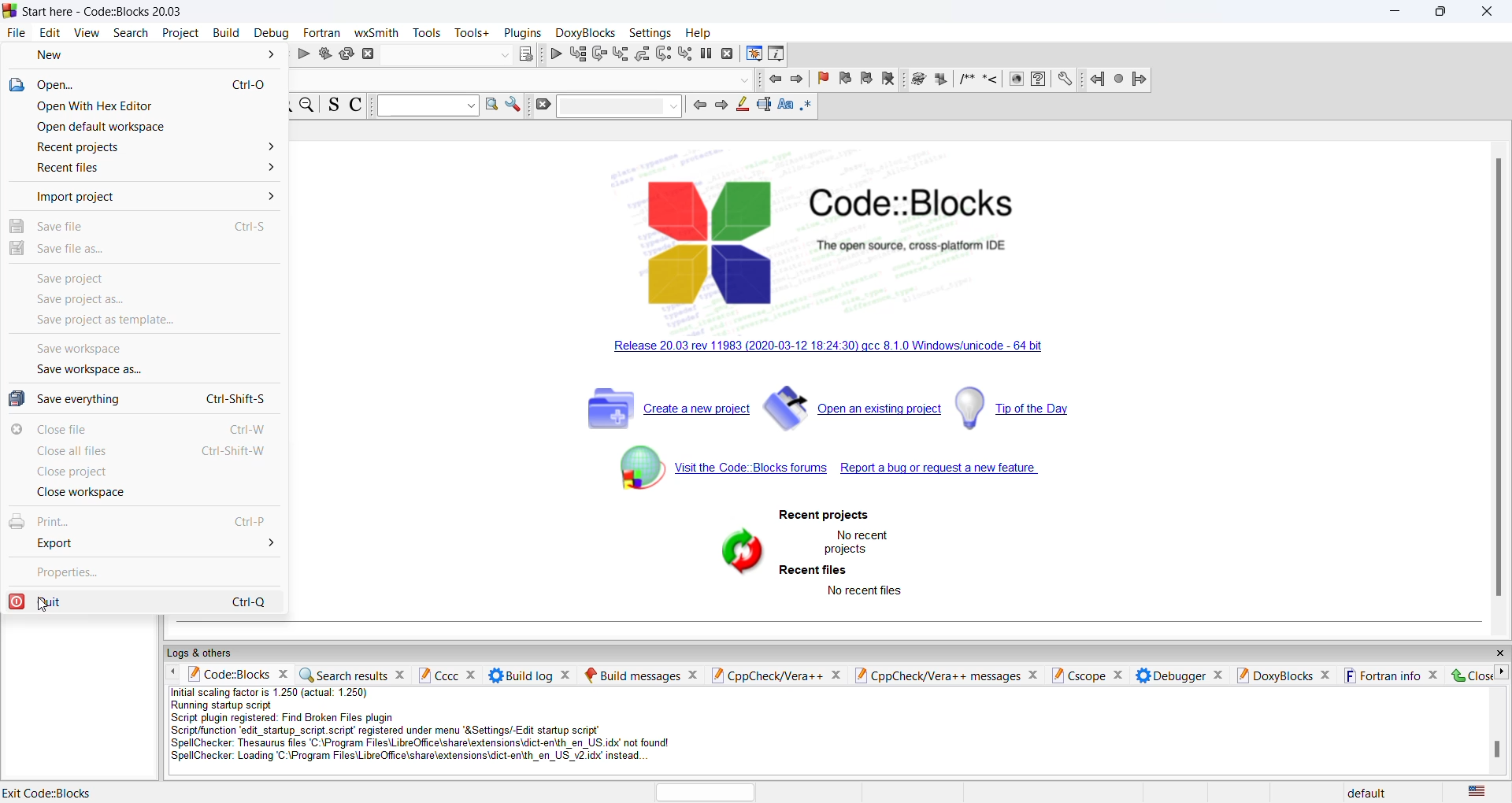 The height and width of the screenshot is (803, 1512). Describe the element at coordinates (555, 54) in the screenshot. I see `debug continue` at that location.